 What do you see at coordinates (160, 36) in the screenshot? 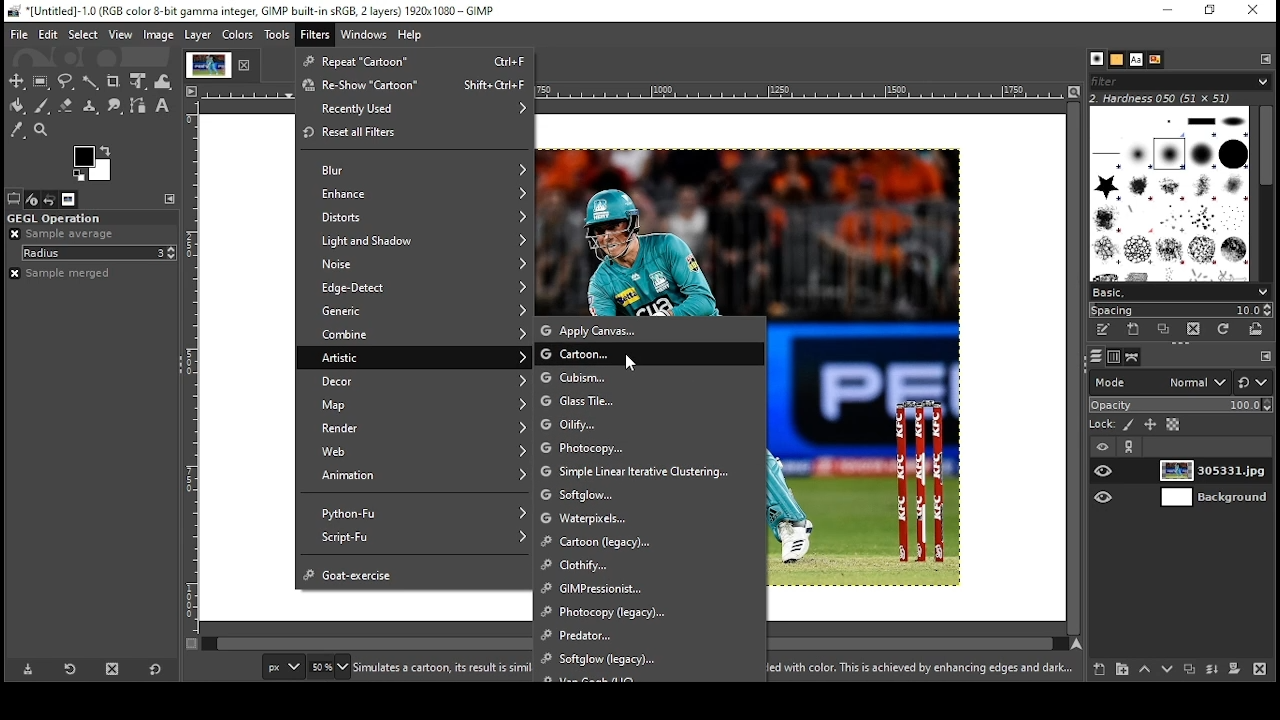
I see `image` at bounding box center [160, 36].